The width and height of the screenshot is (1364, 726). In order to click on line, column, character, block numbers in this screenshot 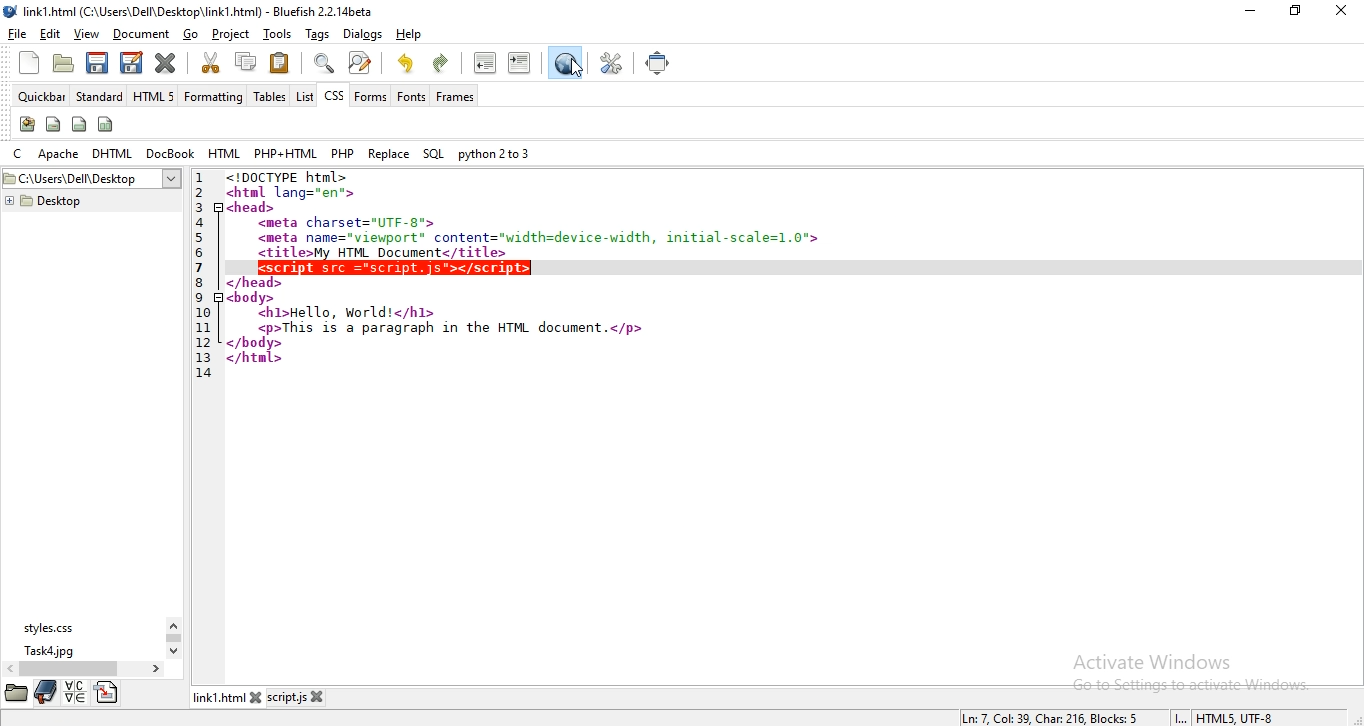, I will do `click(1046, 718)`.